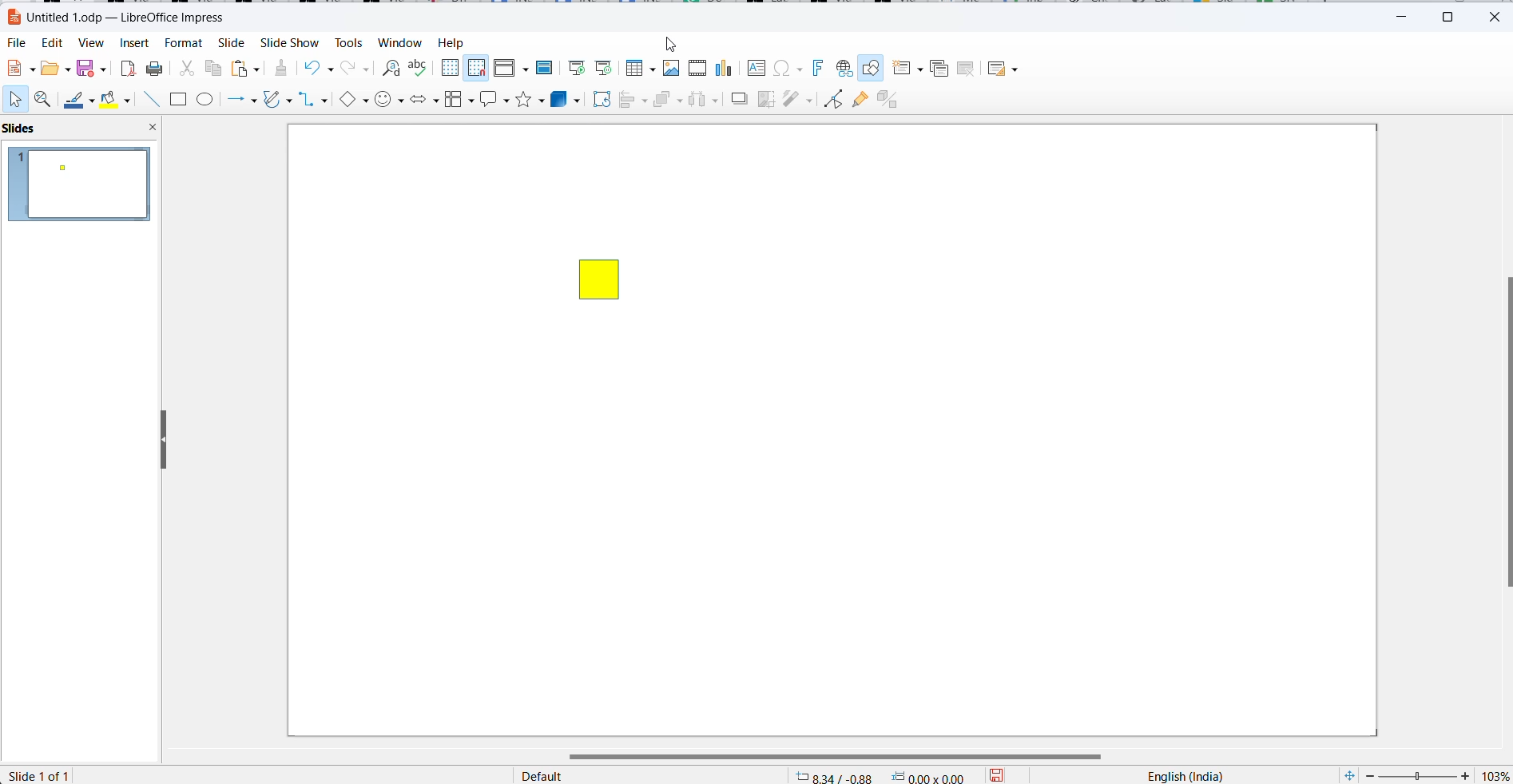 The width and height of the screenshot is (1513, 784). What do you see at coordinates (477, 68) in the screenshot?
I see `Snap to grid` at bounding box center [477, 68].